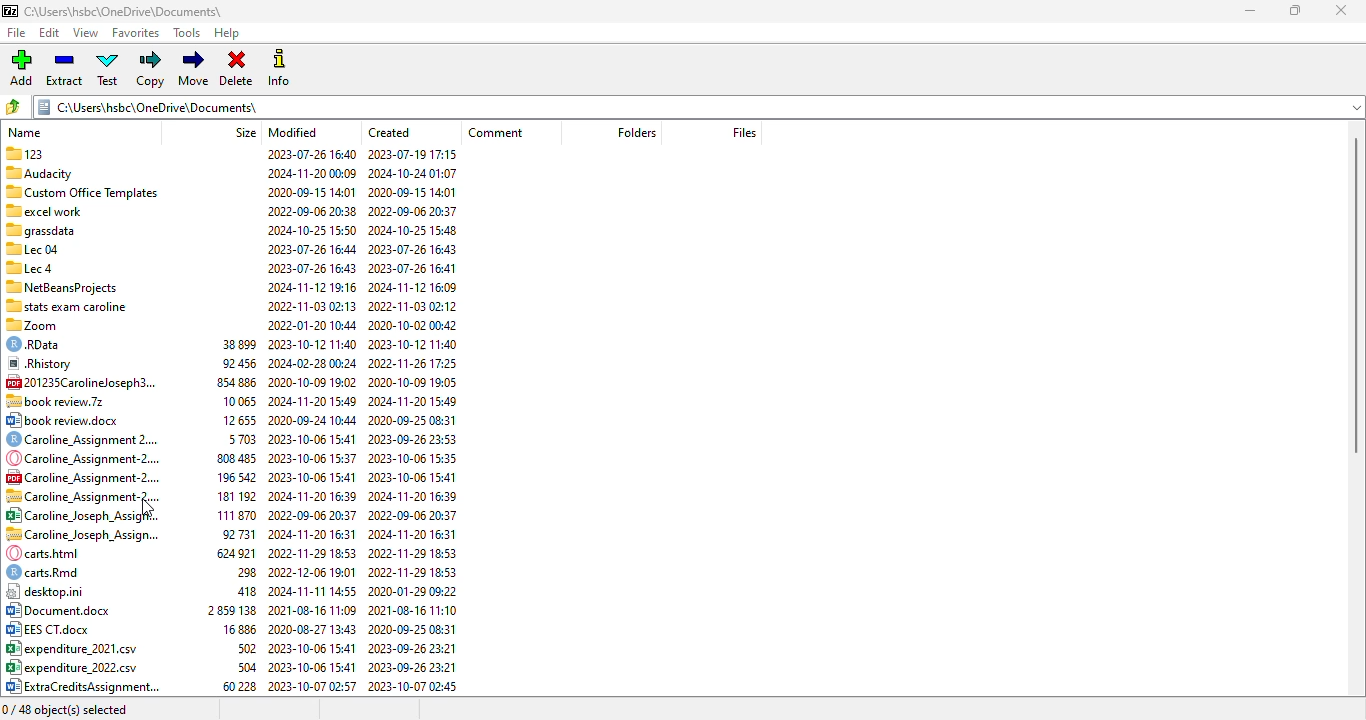 The width and height of the screenshot is (1366, 720). What do you see at coordinates (195, 68) in the screenshot?
I see `move` at bounding box center [195, 68].